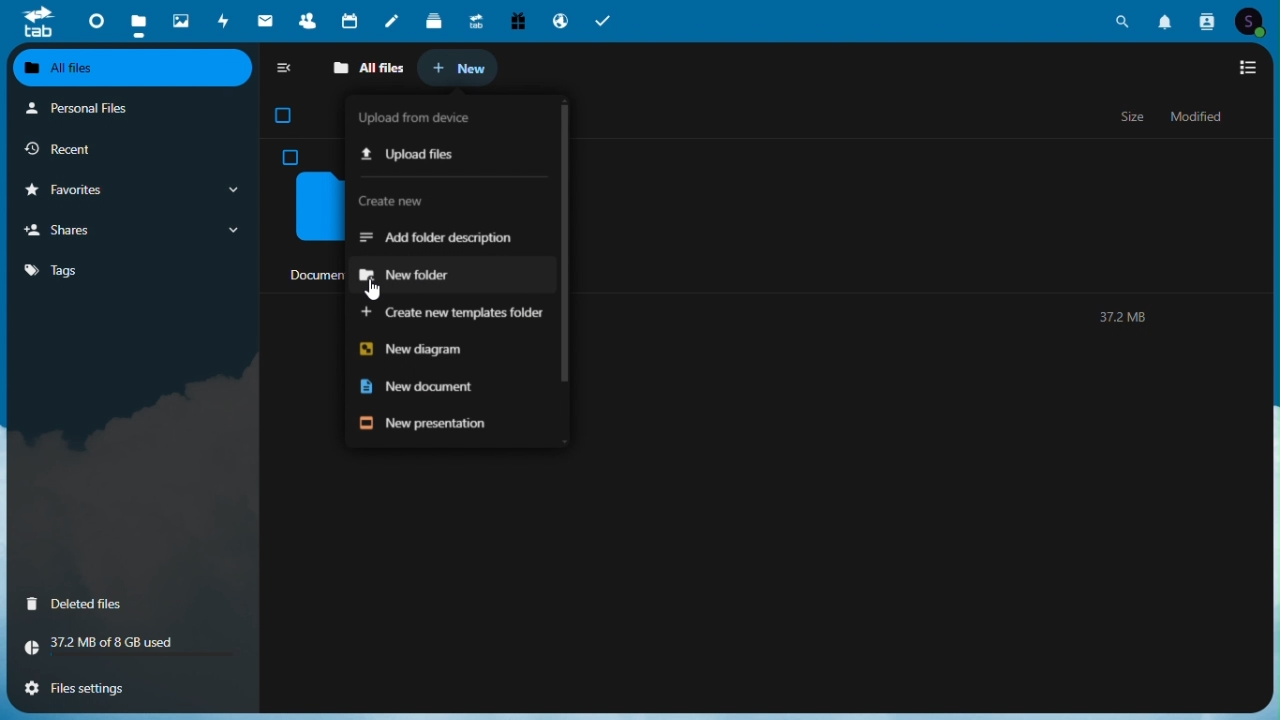  Describe the element at coordinates (435, 237) in the screenshot. I see `Add folder description` at that location.